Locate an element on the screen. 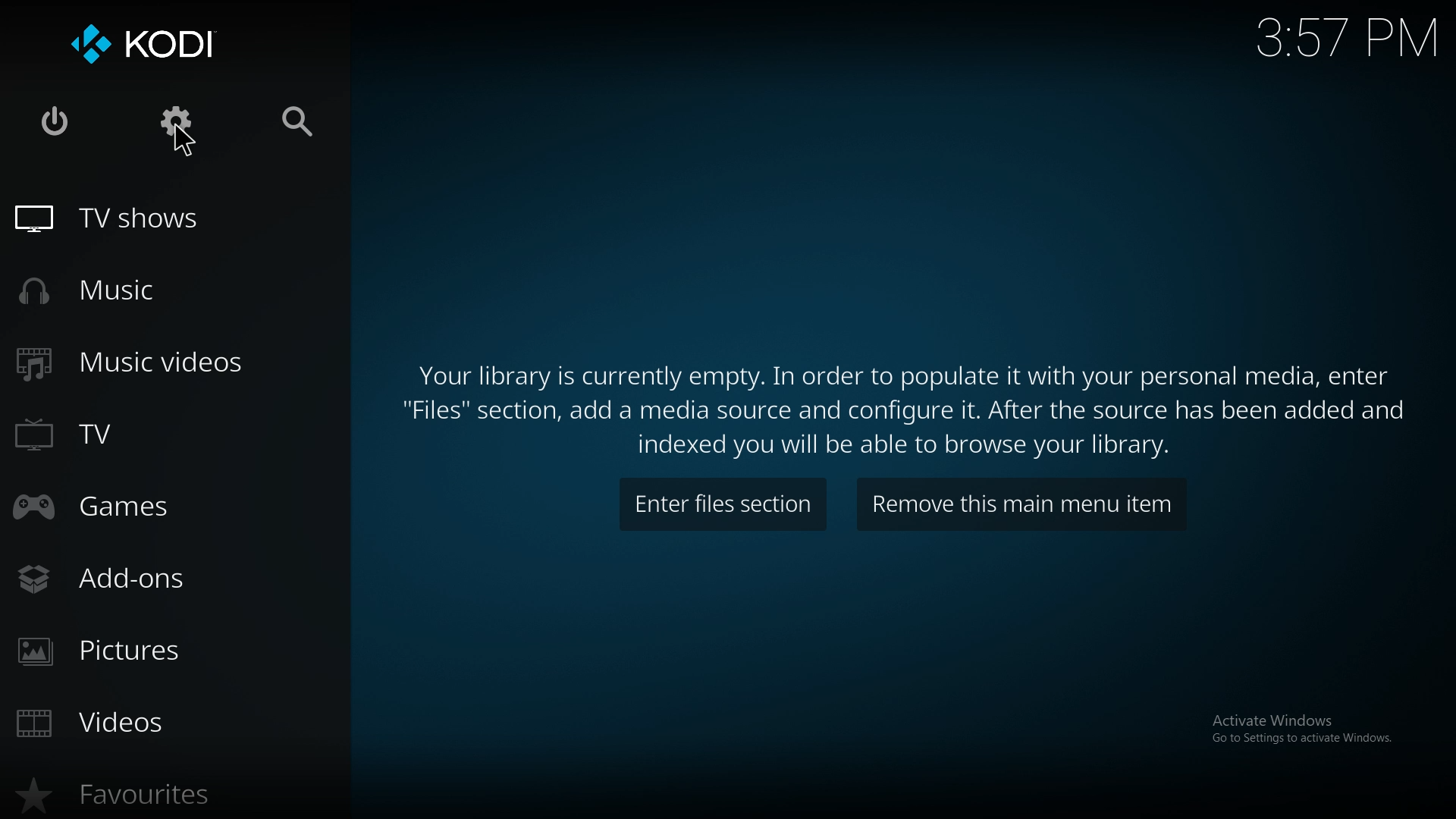 This screenshot has height=819, width=1456. add ons is located at coordinates (138, 580).